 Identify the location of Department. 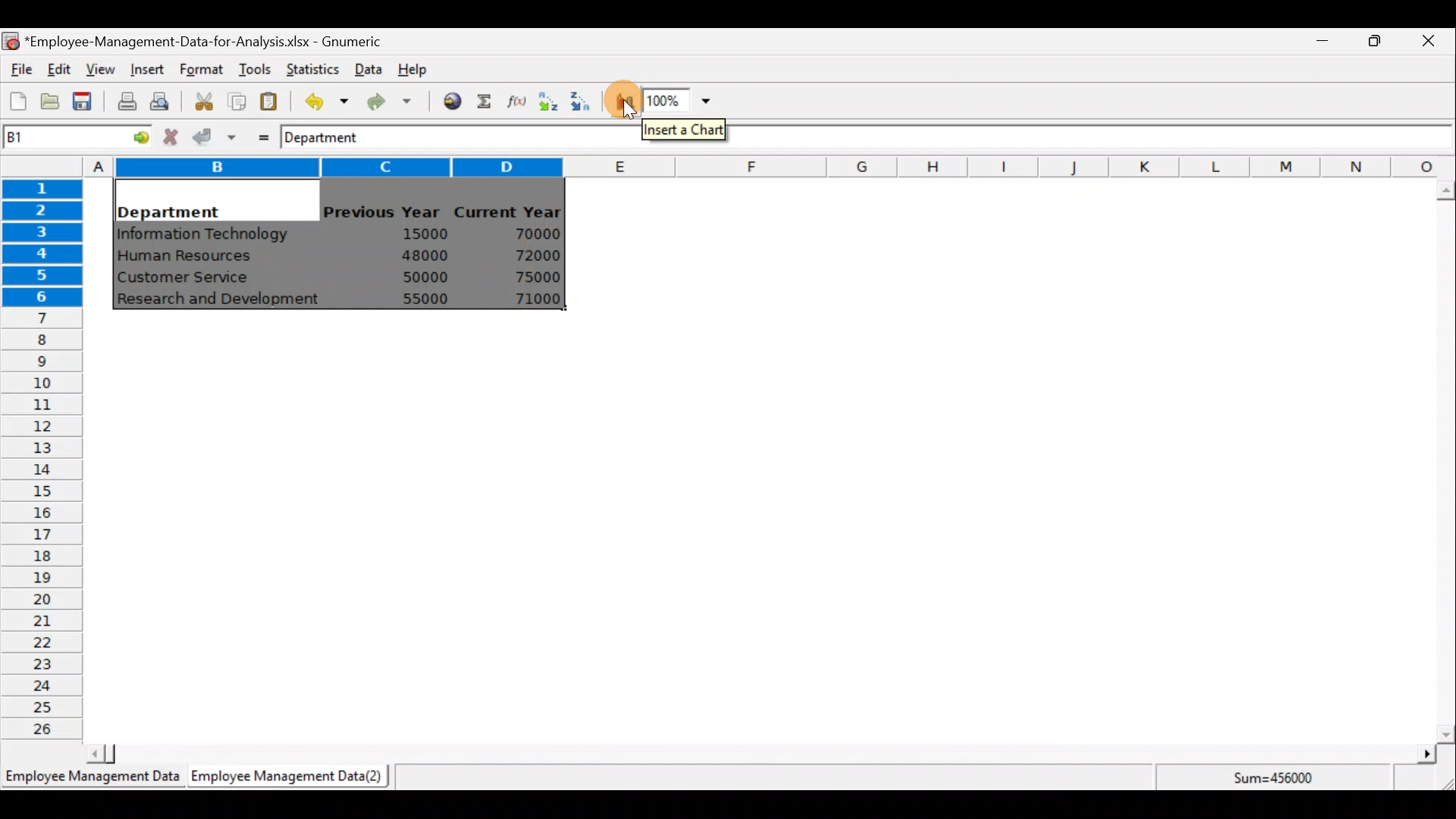
(168, 208).